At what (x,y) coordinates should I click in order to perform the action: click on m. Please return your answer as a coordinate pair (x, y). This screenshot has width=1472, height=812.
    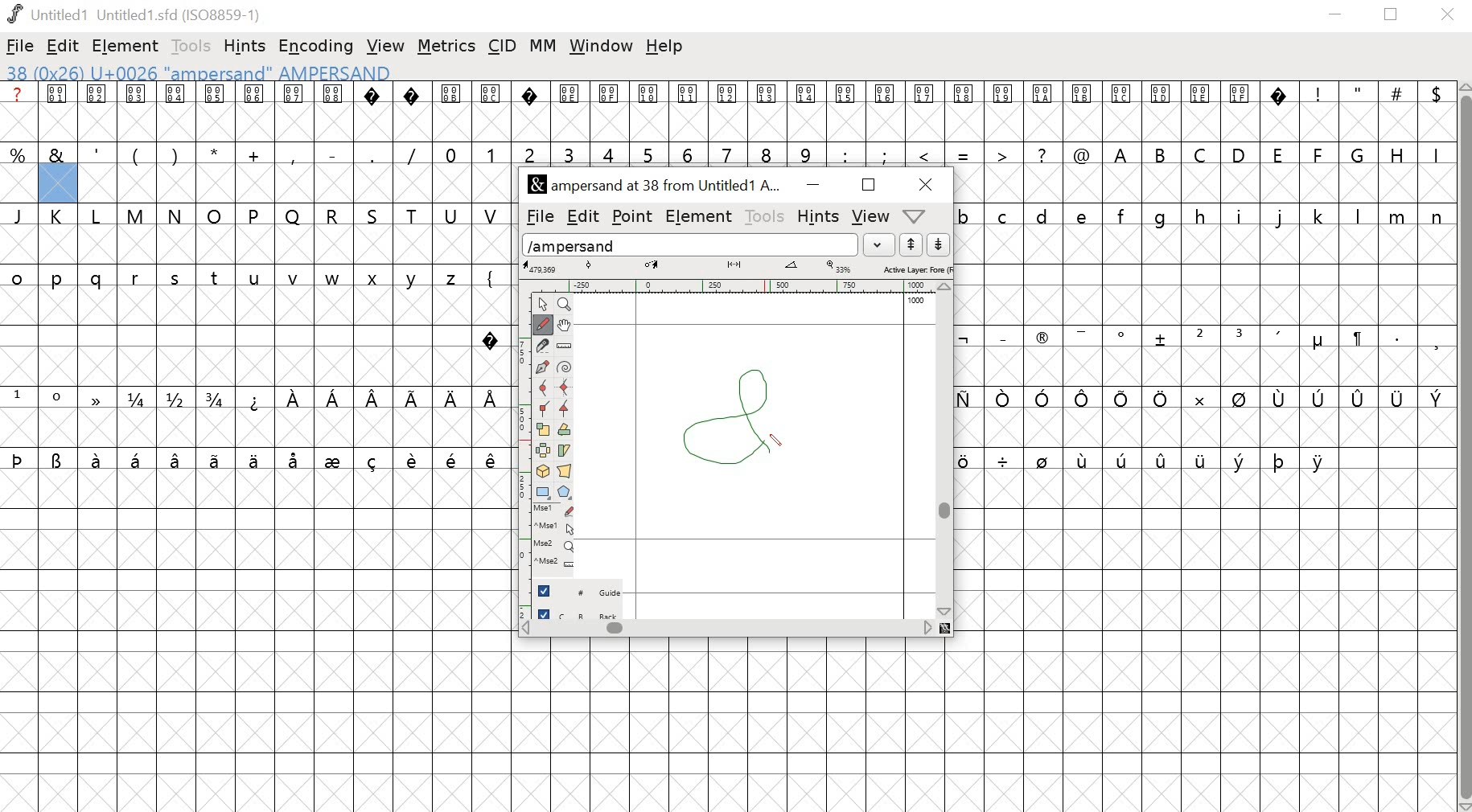
    Looking at the image, I should click on (1399, 215).